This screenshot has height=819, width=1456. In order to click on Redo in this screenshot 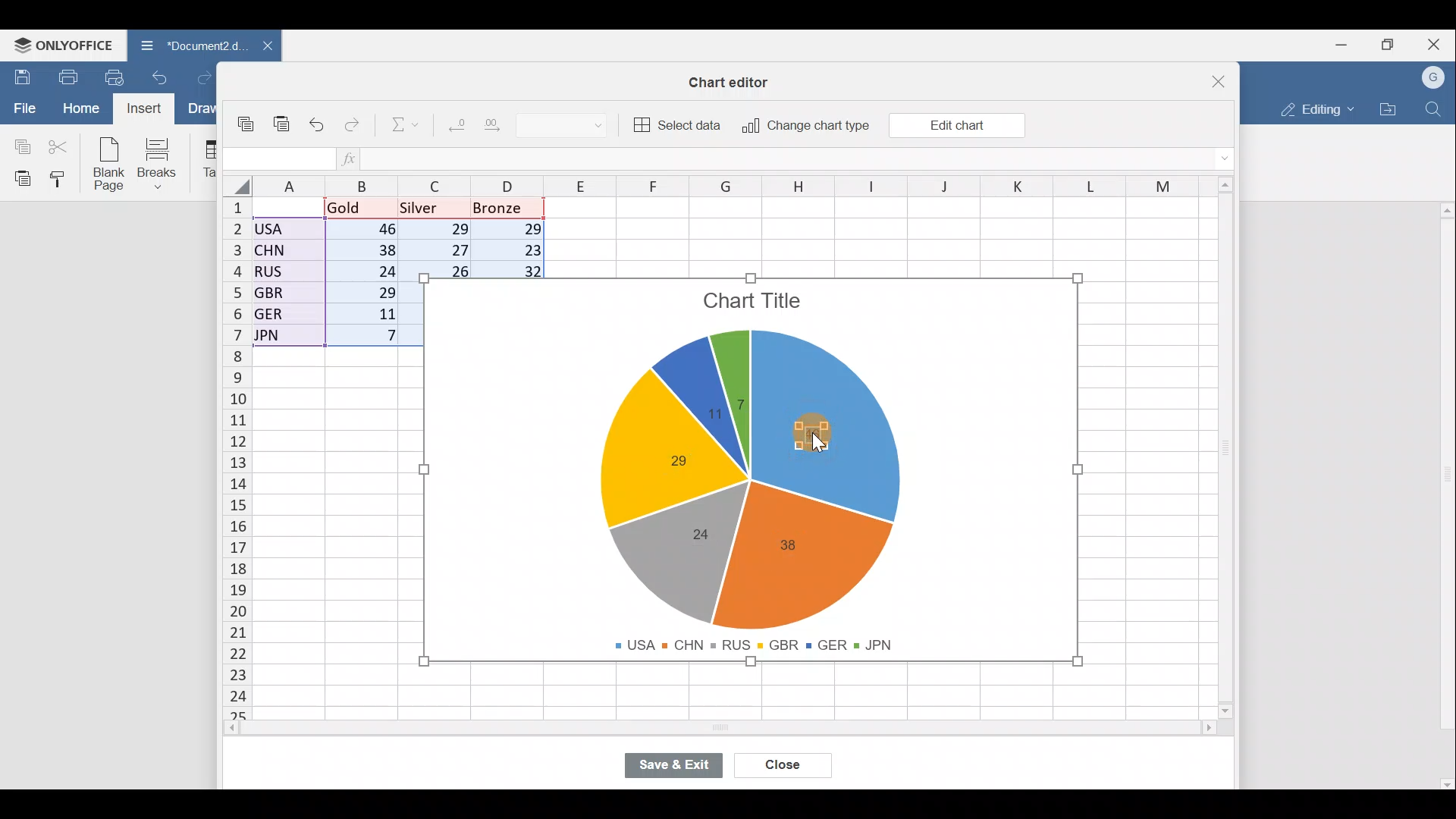, I will do `click(210, 79)`.